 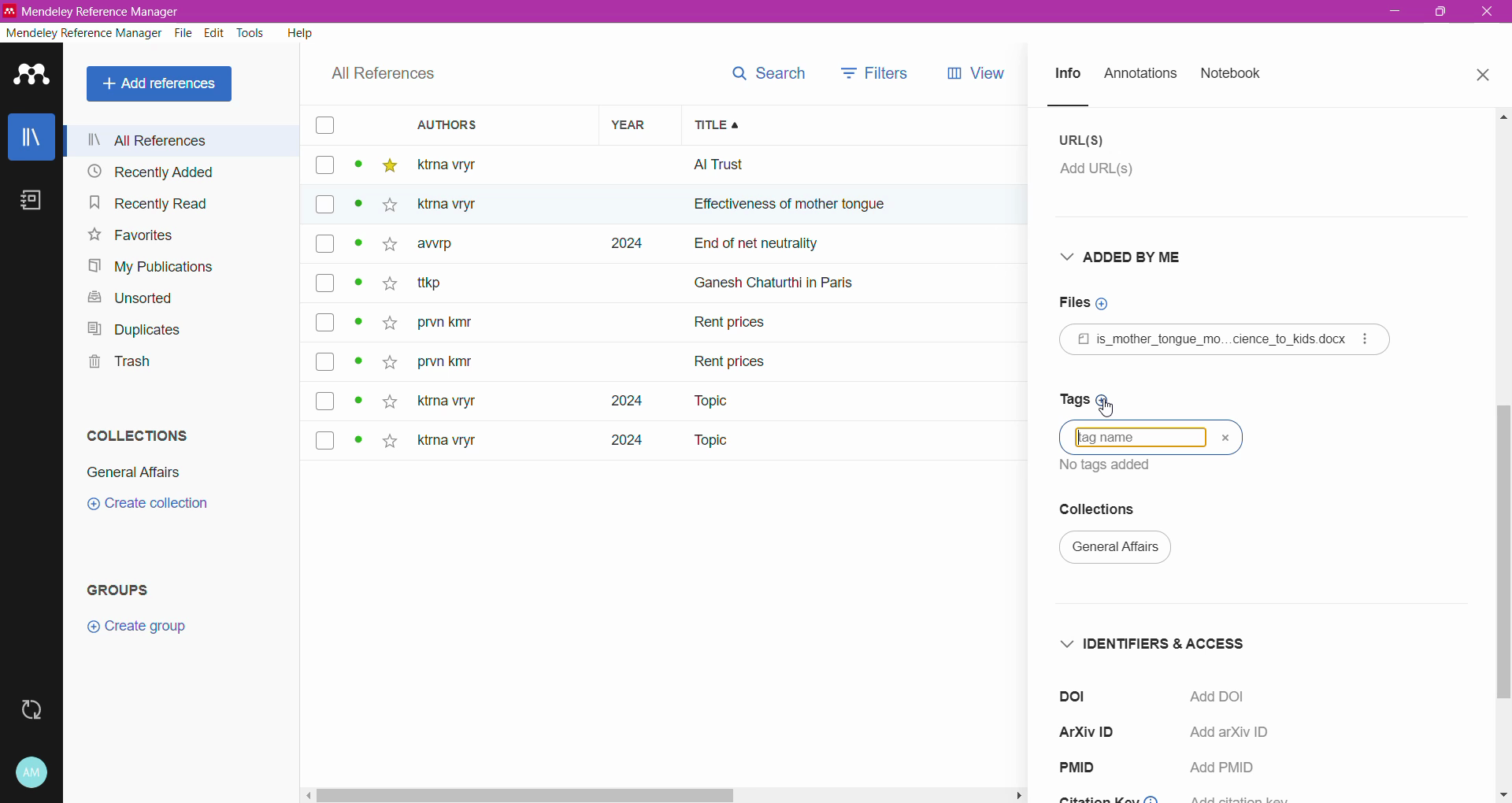 I want to click on Click to add URL(s), so click(x=1107, y=173).